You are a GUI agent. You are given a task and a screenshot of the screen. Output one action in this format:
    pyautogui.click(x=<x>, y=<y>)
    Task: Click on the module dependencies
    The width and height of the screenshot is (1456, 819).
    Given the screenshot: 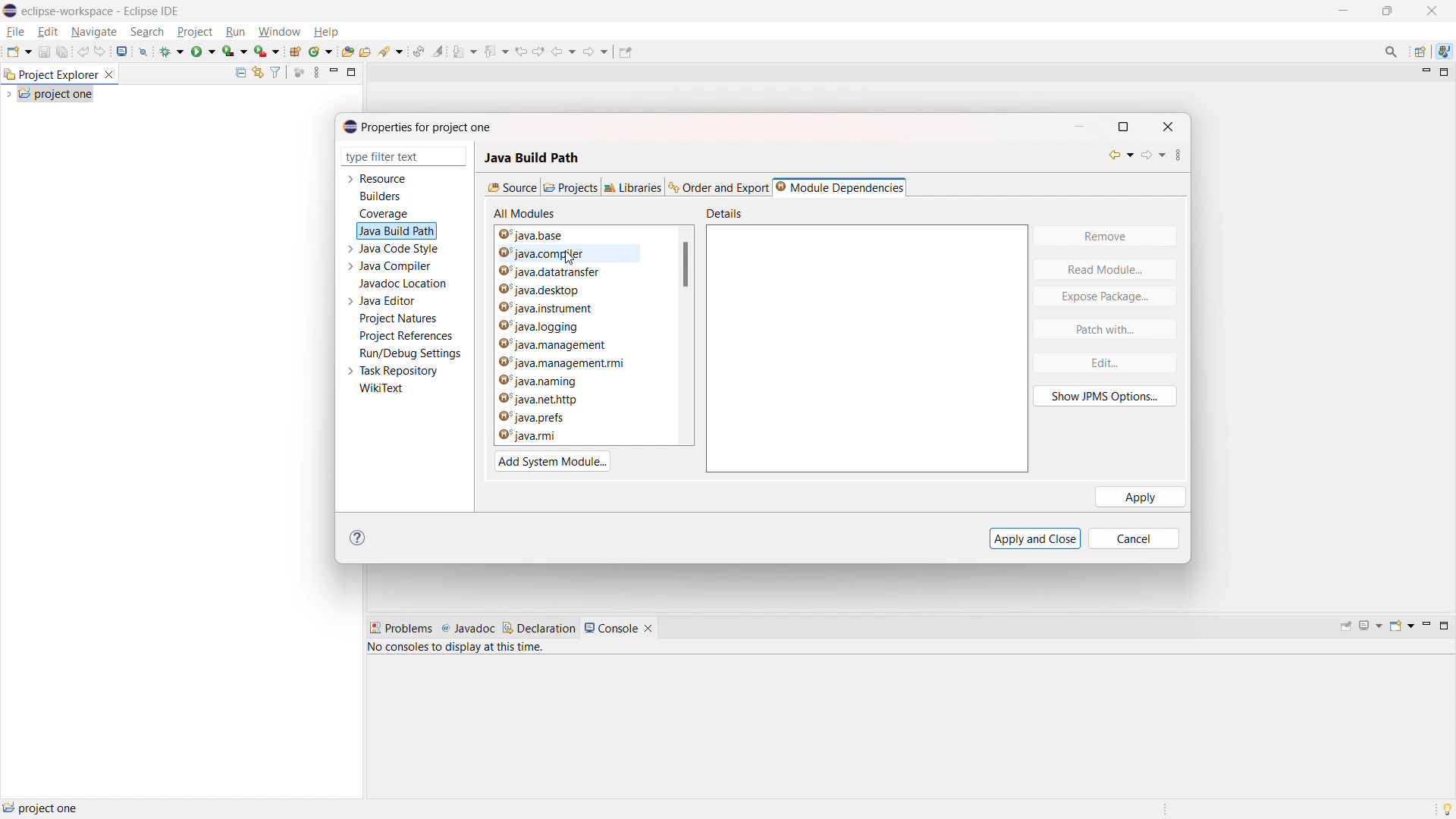 What is the action you would take?
    pyautogui.click(x=839, y=187)
    